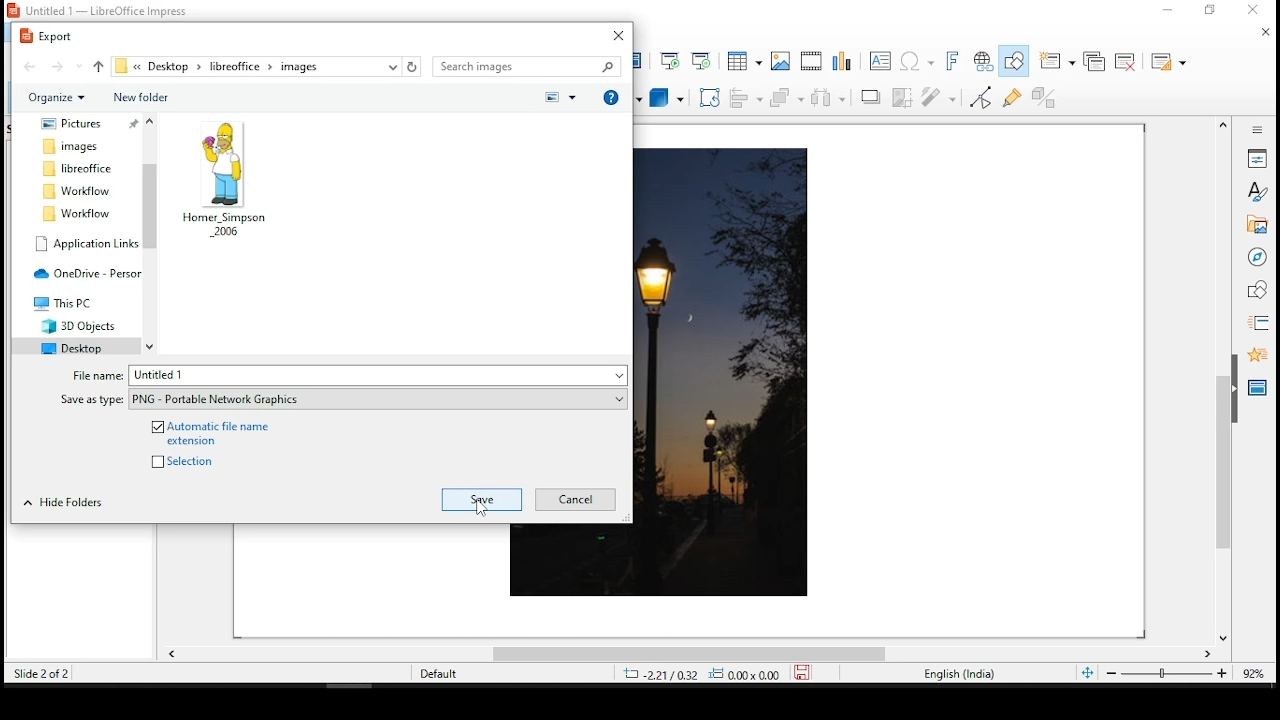  I want to click on master slides, so click(1259, 387).